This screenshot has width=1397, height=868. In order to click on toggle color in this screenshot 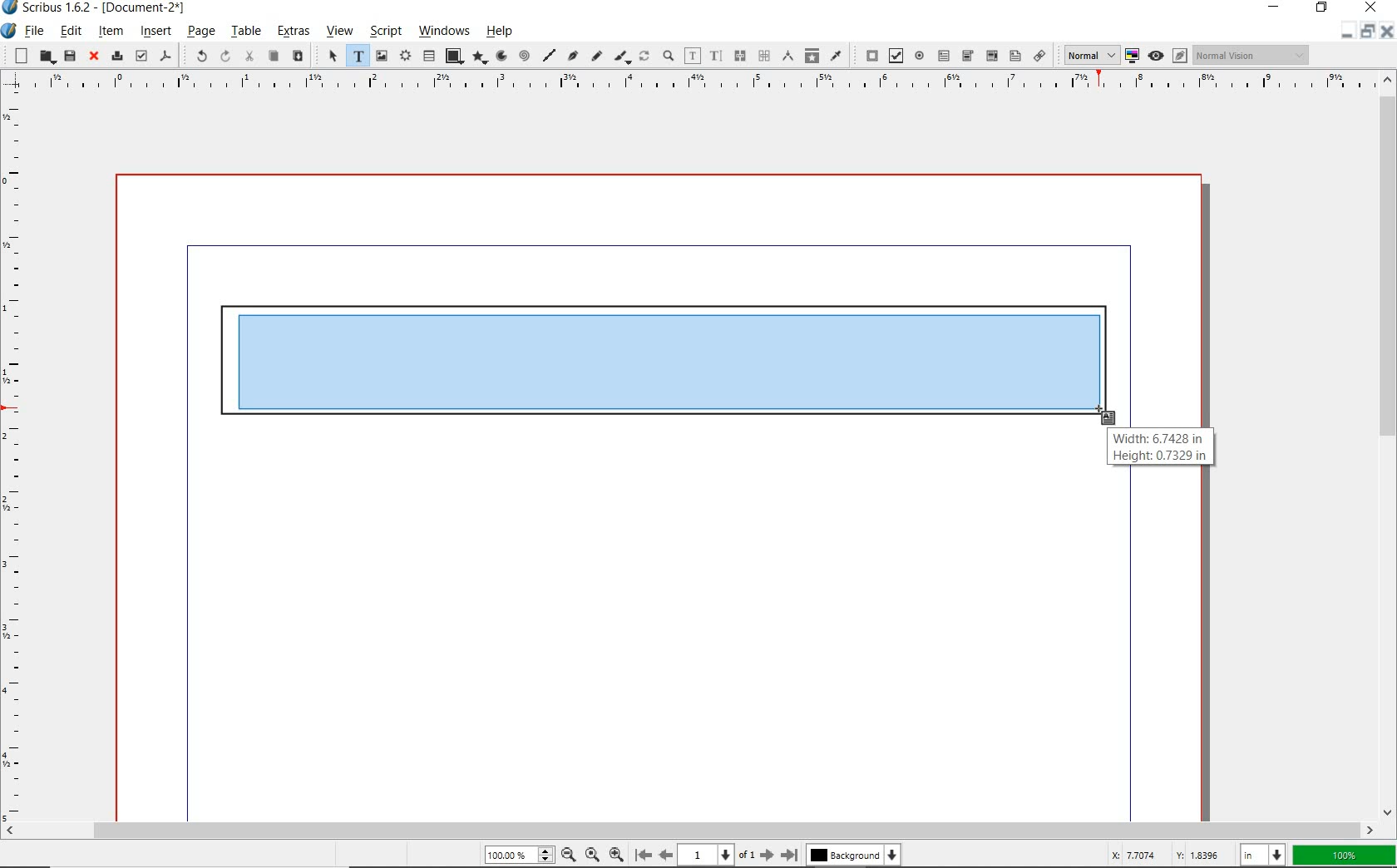, I will do `click(1130, 57)`.